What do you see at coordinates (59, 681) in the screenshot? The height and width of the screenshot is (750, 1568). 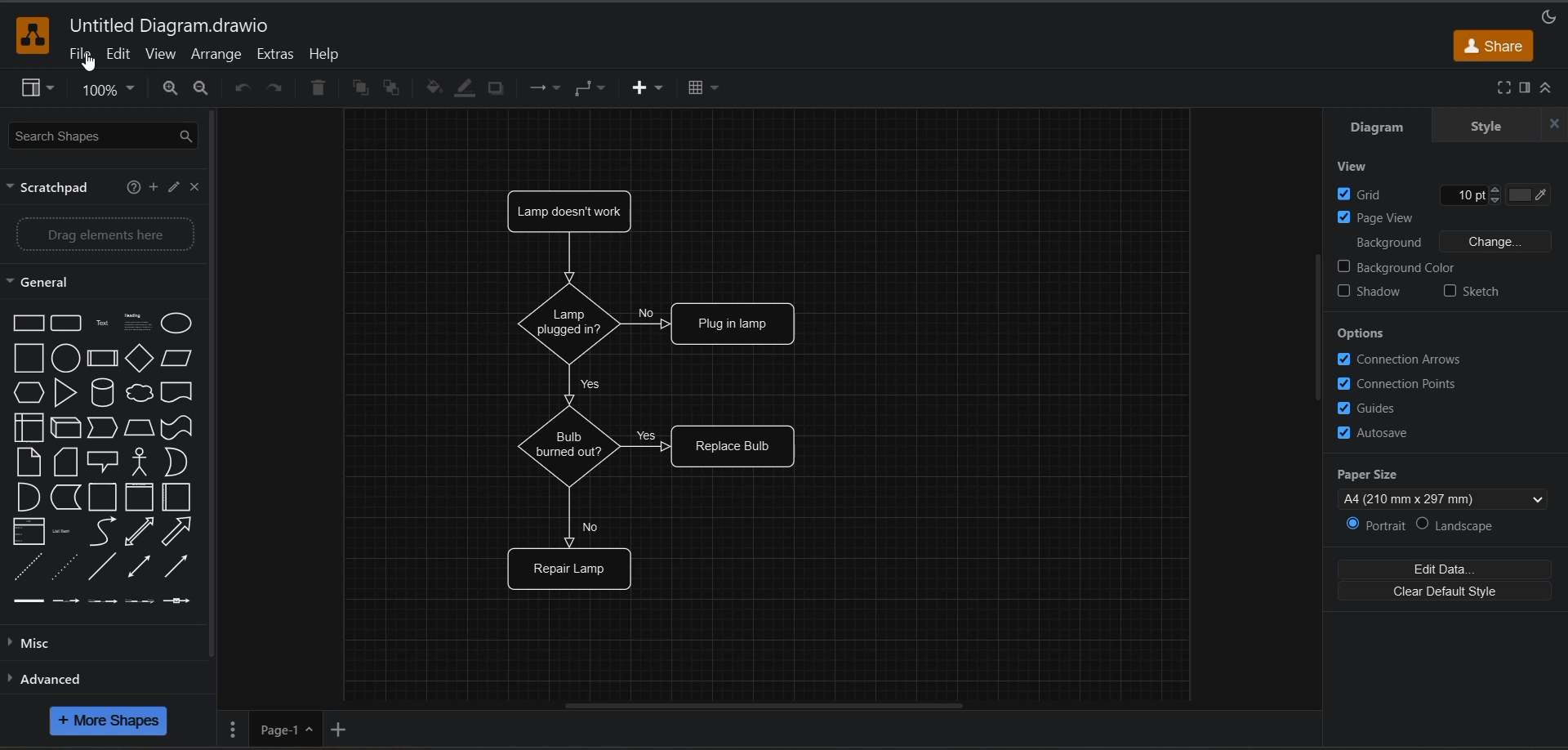 I see `advanced` at bounding box center [59, 681].